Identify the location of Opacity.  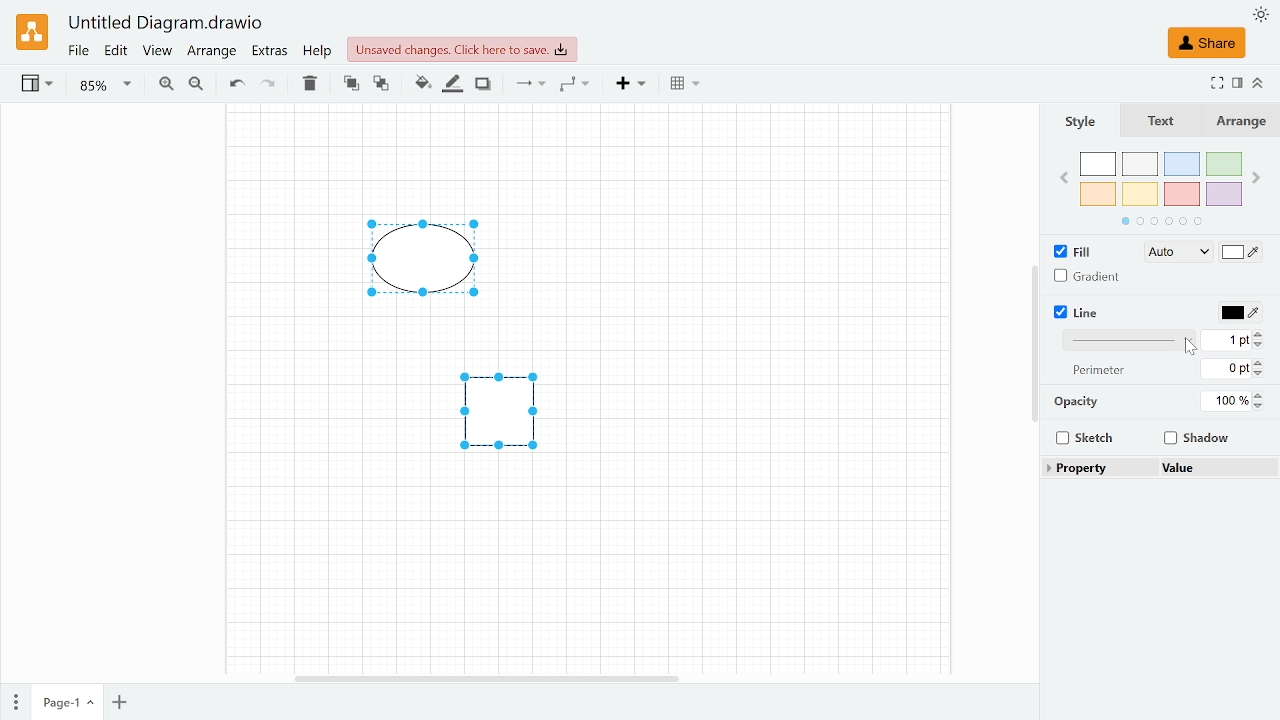
(1075, 404).